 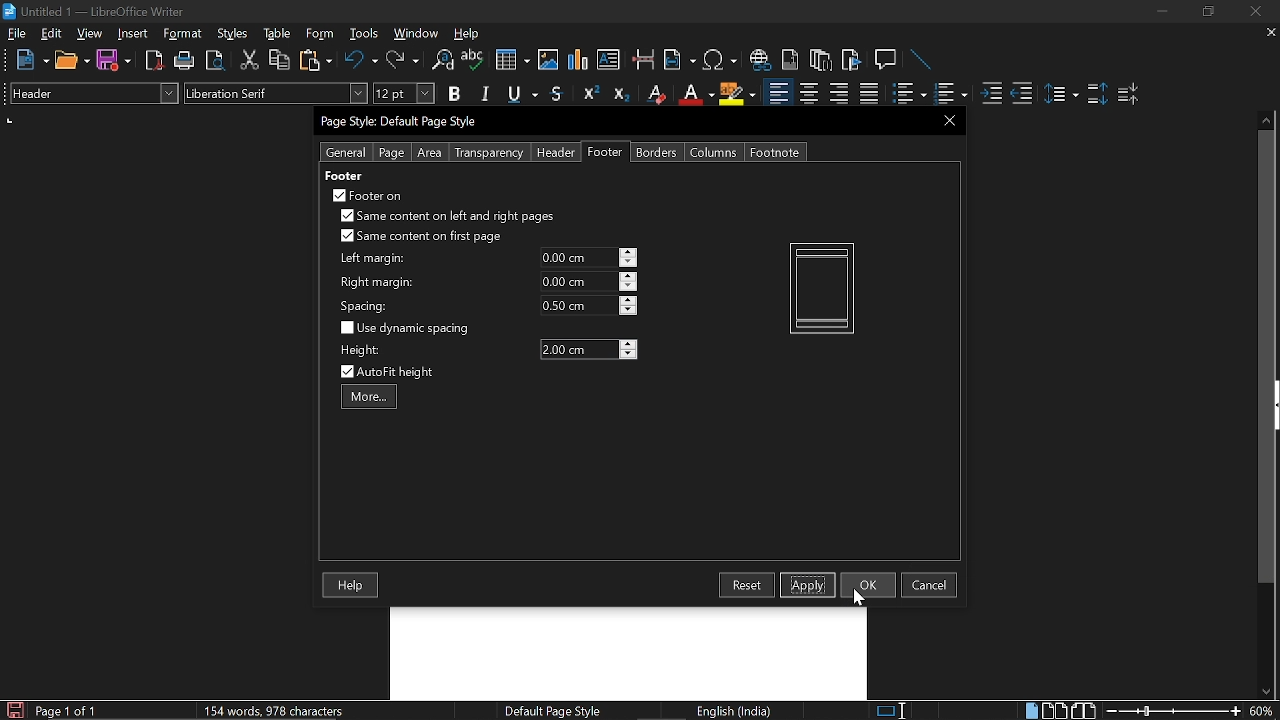 What do you see at coordinates (862, 598) in the screenshot?
I see `Cursor` at bounding box center [862, 598].